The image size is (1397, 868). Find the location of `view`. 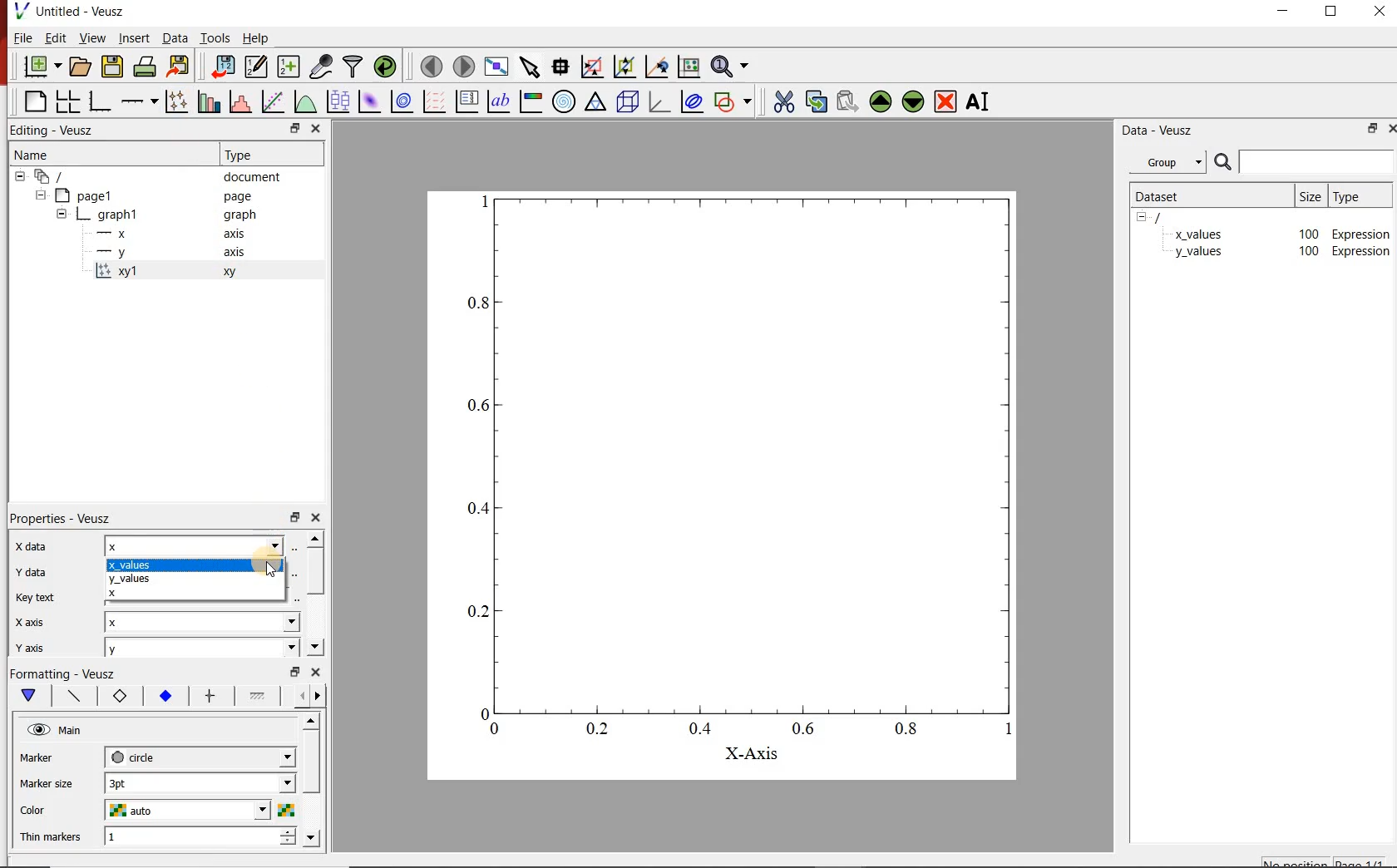

view is located at coordinates (93, 37).